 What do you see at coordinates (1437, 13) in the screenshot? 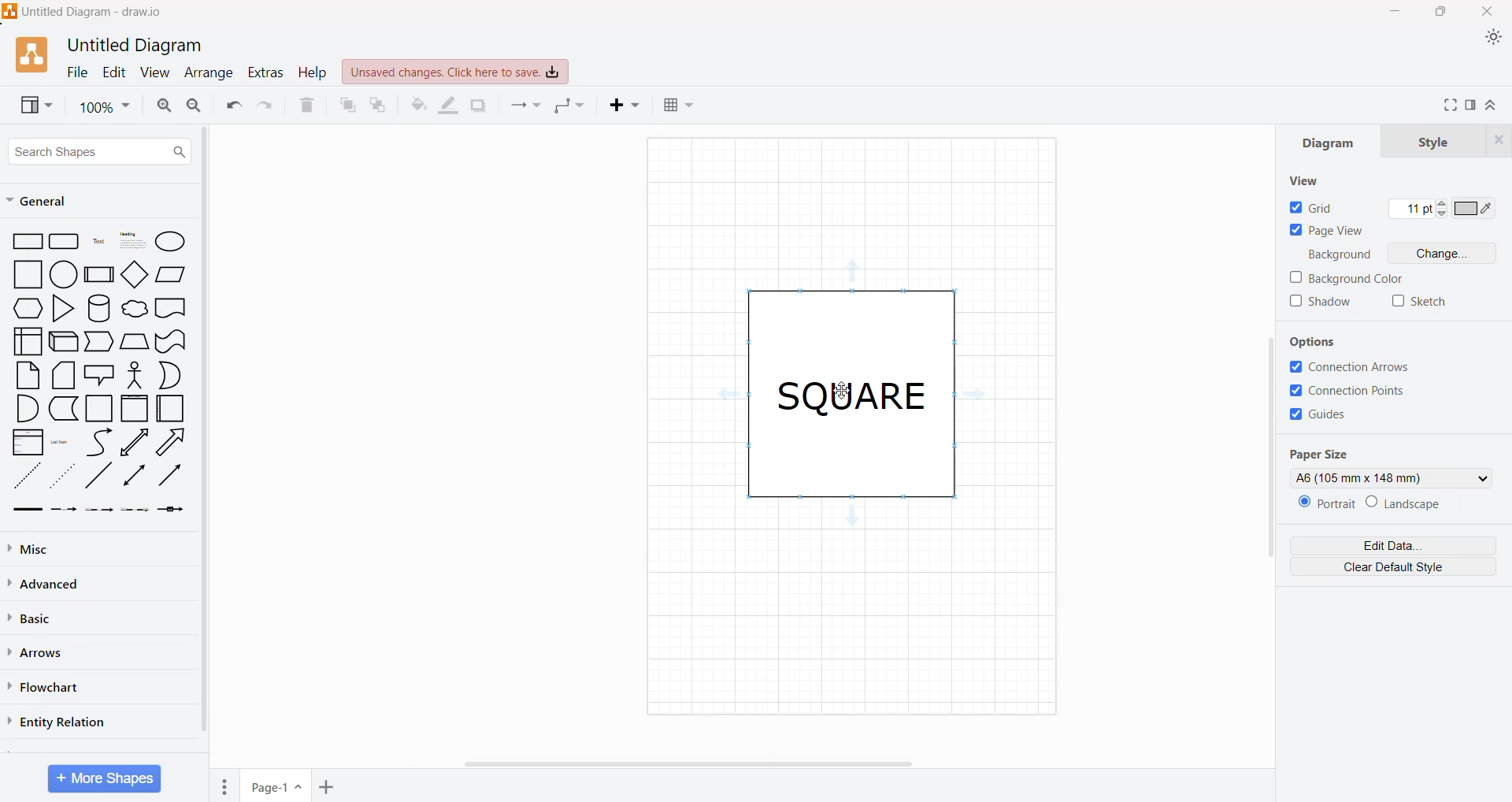
I see `Restore Down` at bounding box center [1437, 13].